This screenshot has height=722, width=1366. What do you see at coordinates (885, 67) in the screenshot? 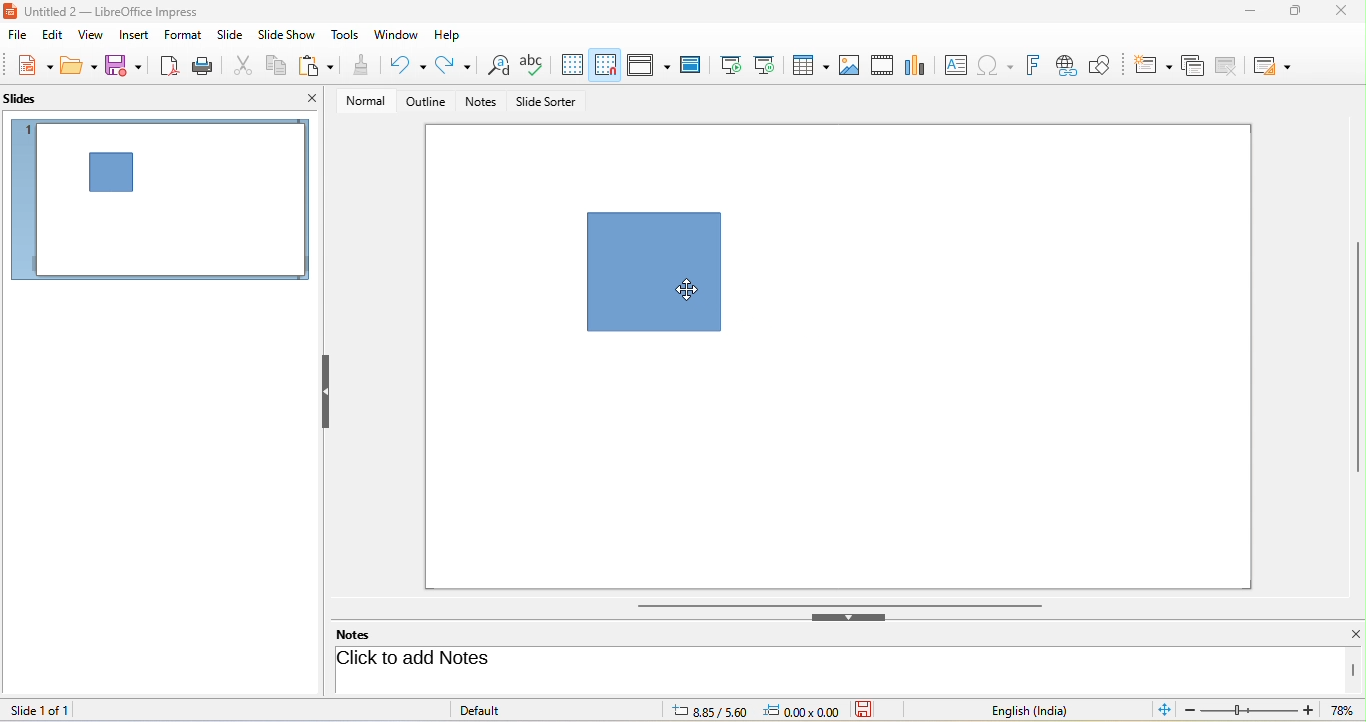
I see `audio or video` at bounding box center [885, 67].